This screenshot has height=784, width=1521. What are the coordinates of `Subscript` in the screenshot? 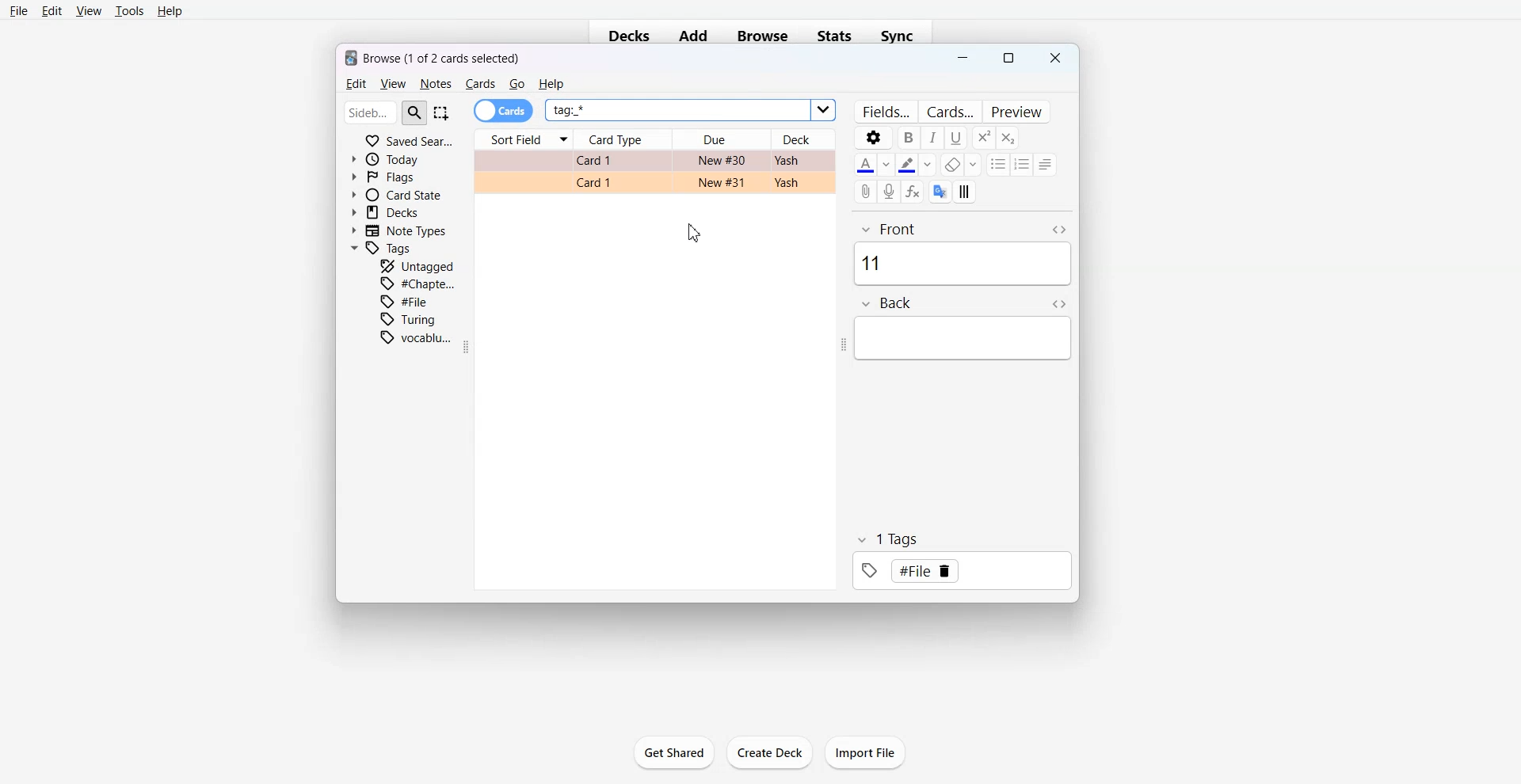 It's located at (983, 137).